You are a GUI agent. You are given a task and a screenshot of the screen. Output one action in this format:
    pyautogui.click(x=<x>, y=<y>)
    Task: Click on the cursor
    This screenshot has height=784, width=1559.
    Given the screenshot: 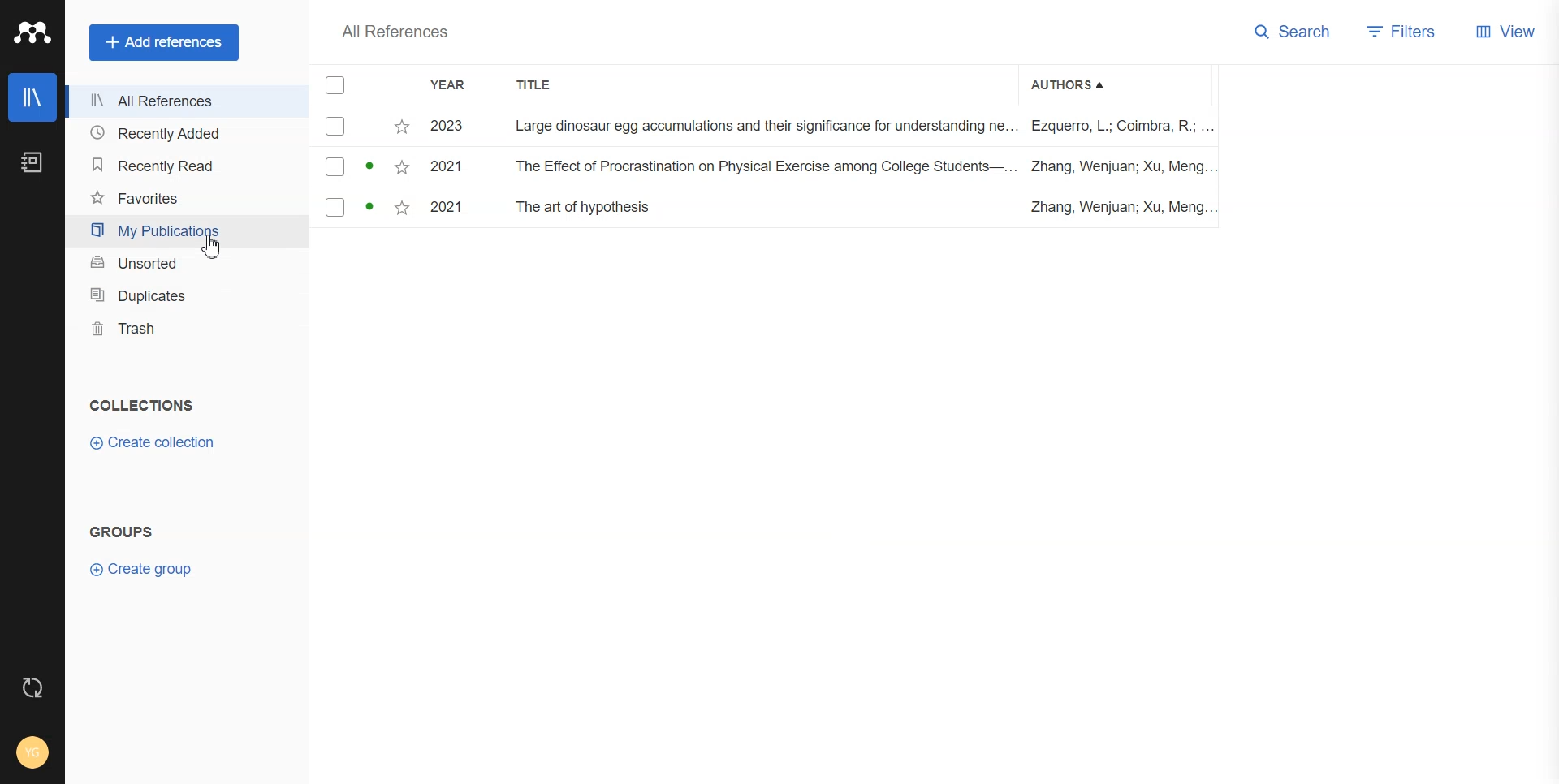 What is the action you would take?
    pyautogui.click(x=214, y=251)
    